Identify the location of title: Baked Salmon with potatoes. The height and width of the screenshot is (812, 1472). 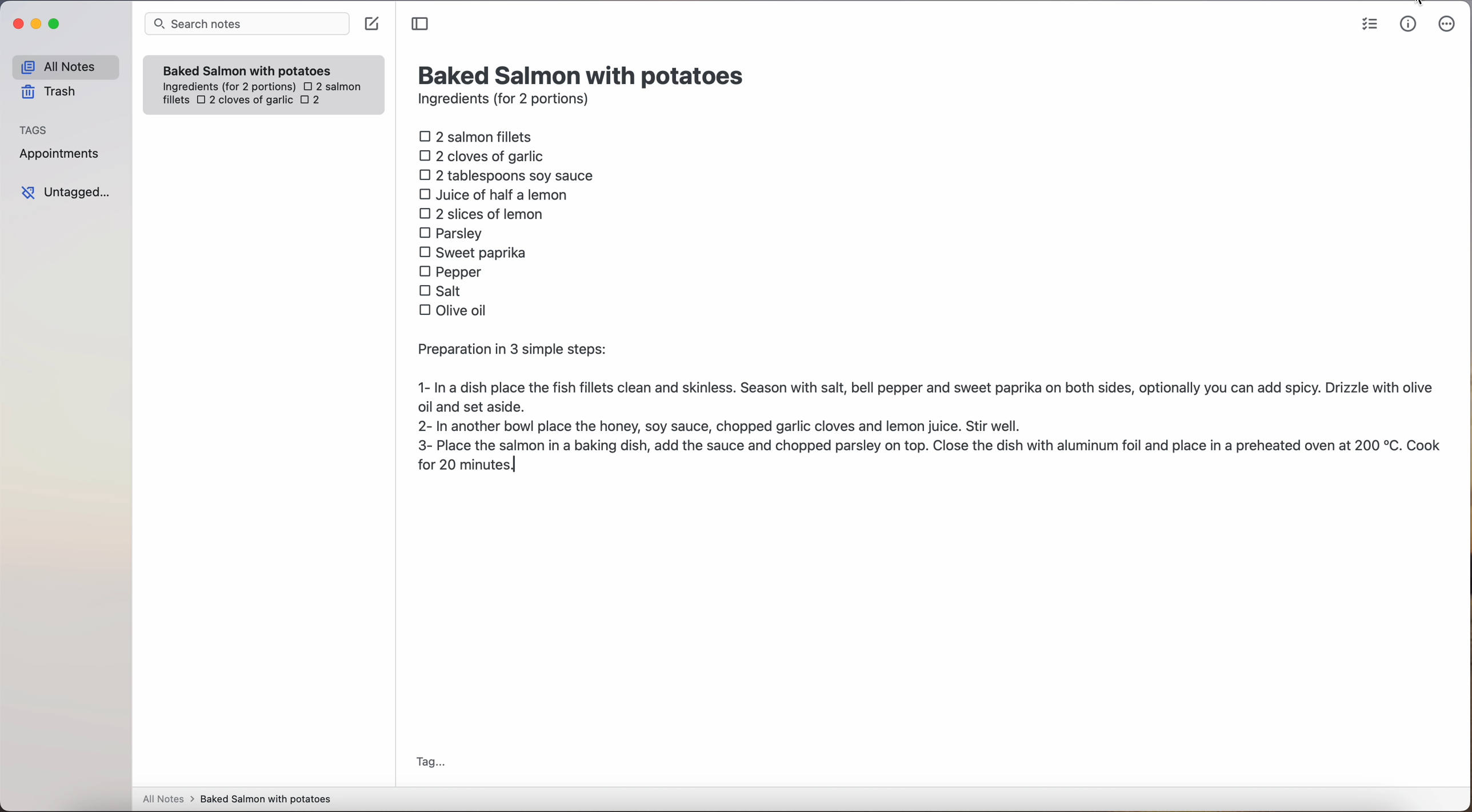
(583, 74).